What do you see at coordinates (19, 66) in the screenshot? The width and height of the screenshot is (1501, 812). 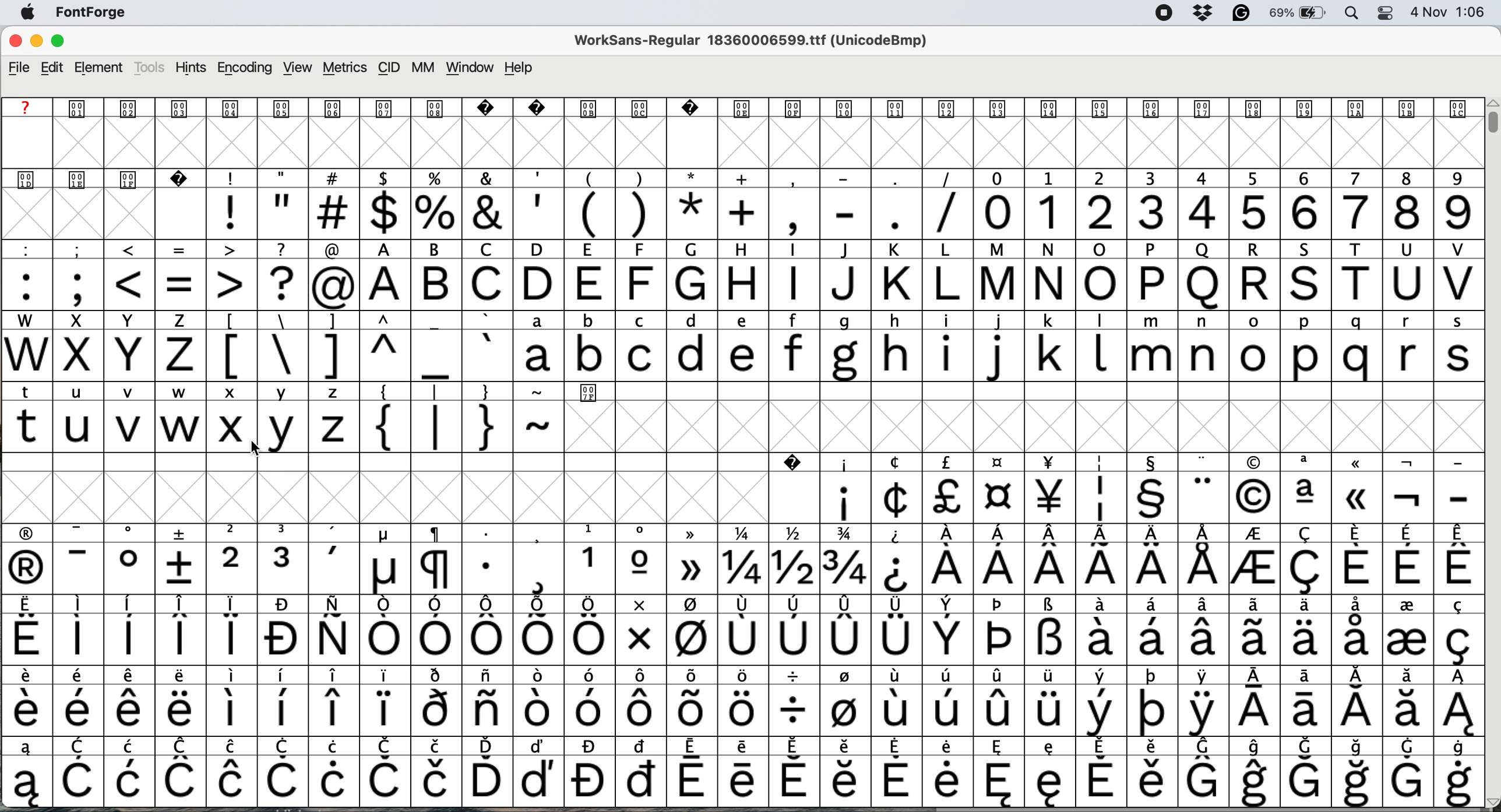 I see `file` at bounding box center [19, 66].